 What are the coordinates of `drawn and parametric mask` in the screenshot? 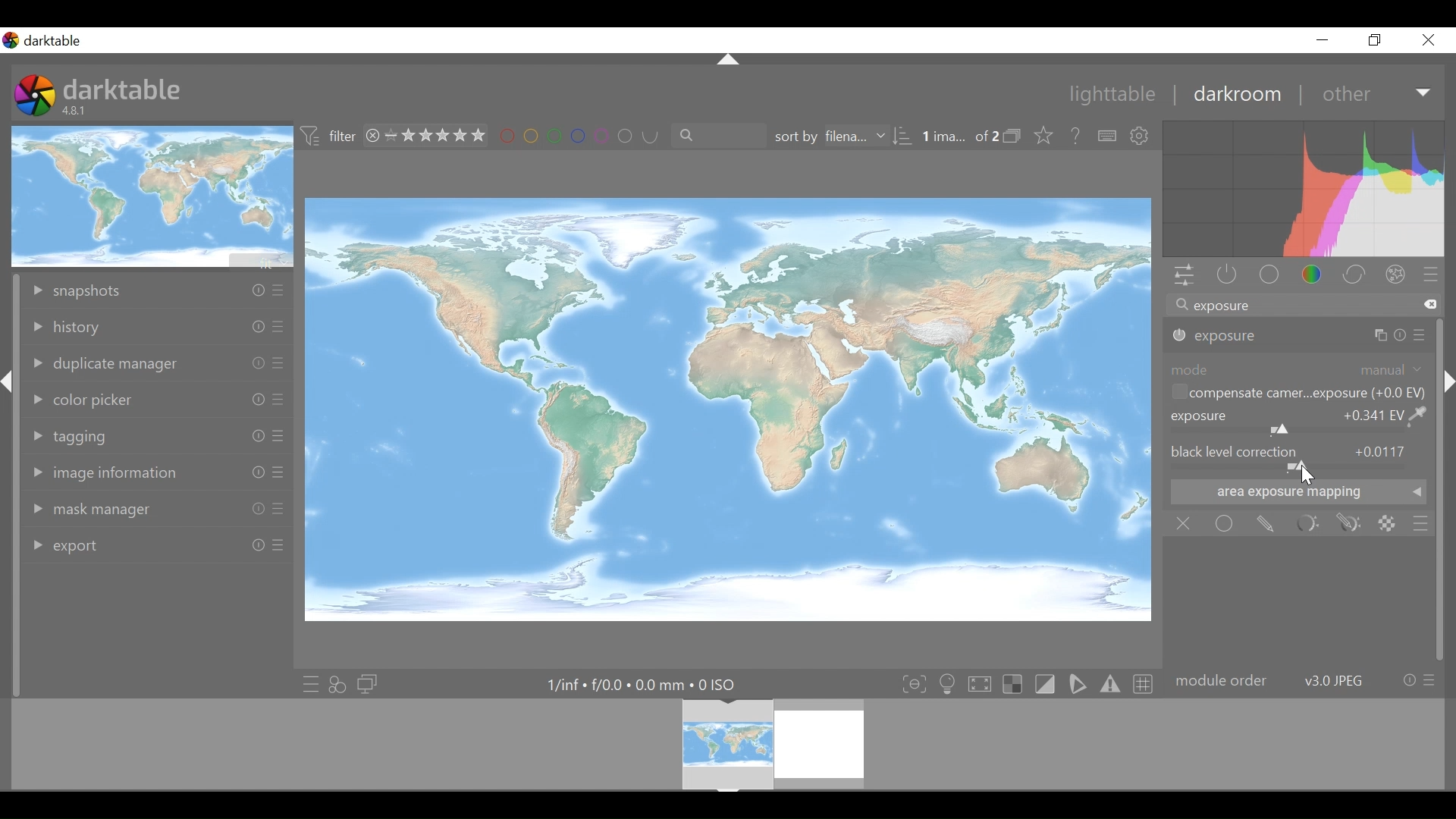 It's located at (1352, 523).